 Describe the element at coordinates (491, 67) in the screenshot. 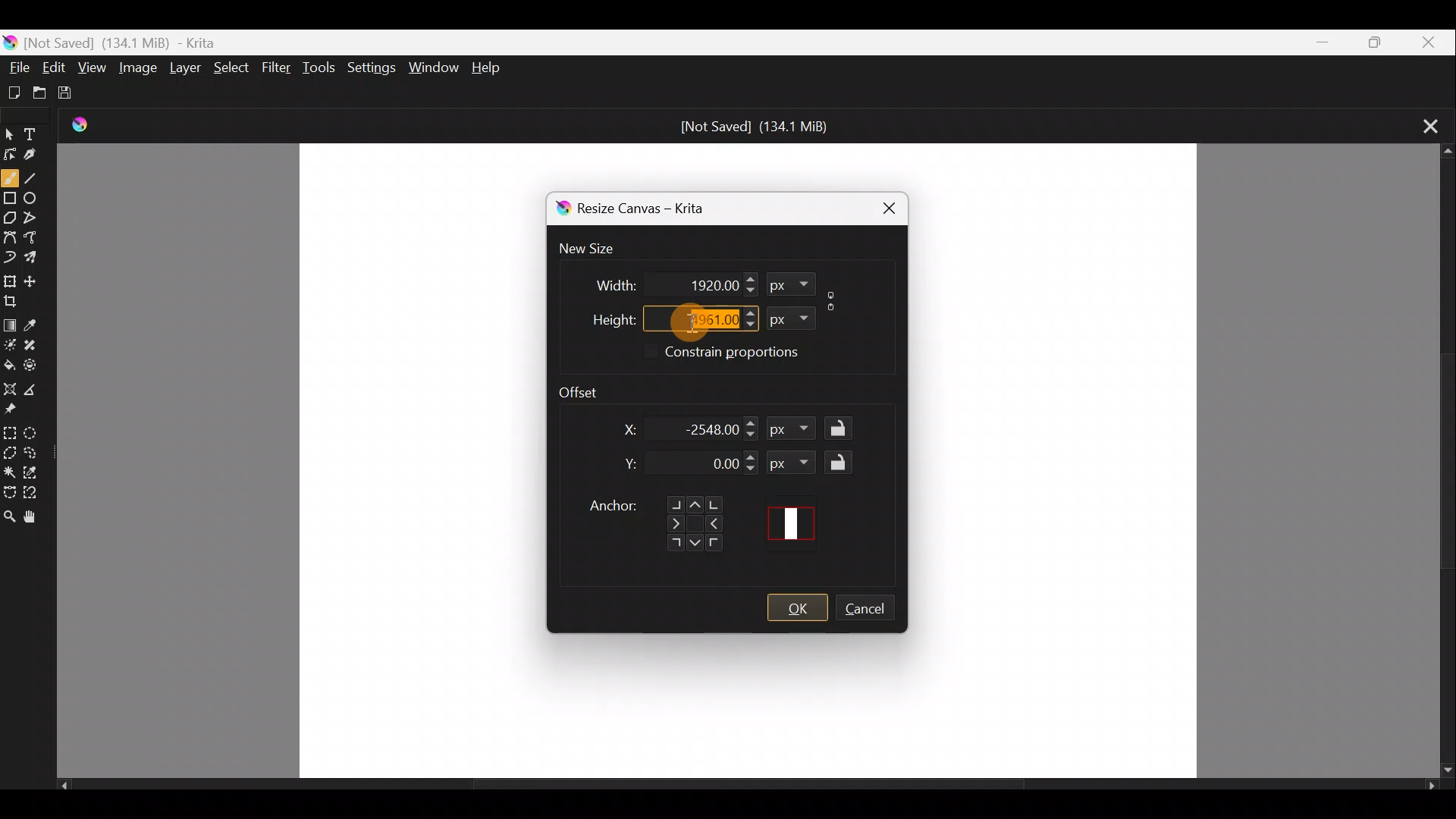

I see `Help` at that location.